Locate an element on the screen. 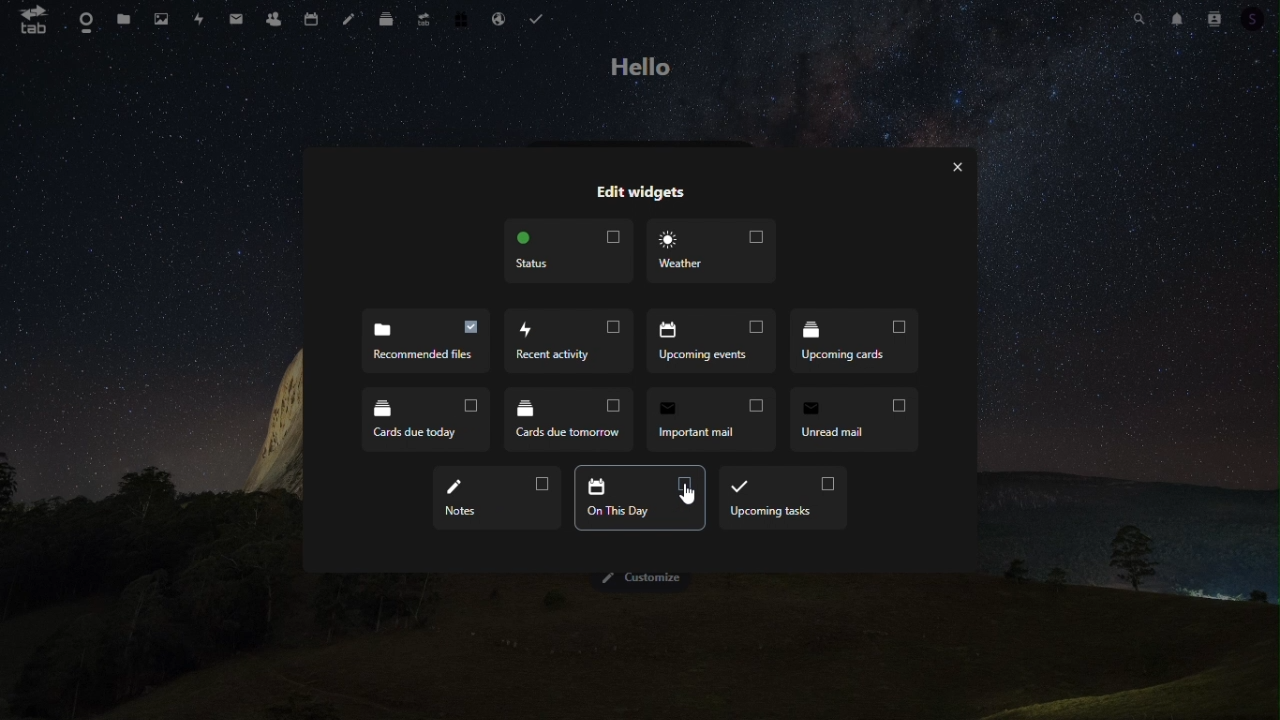 Image resolution: width=1280 pixels, height=720 pixels. notes is located at coordinates (858, 418).